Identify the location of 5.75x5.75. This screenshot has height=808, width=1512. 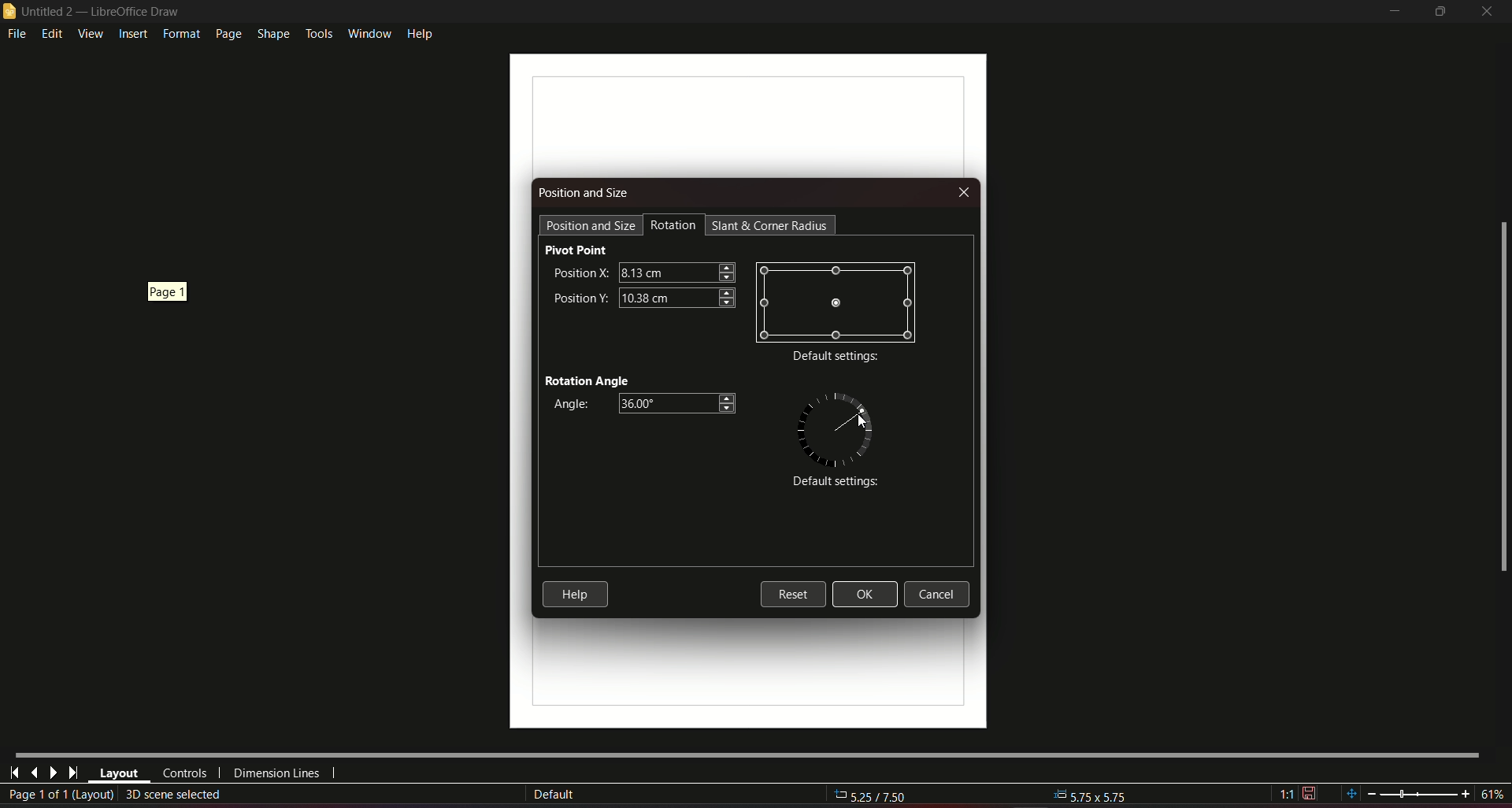
(1091, 794).